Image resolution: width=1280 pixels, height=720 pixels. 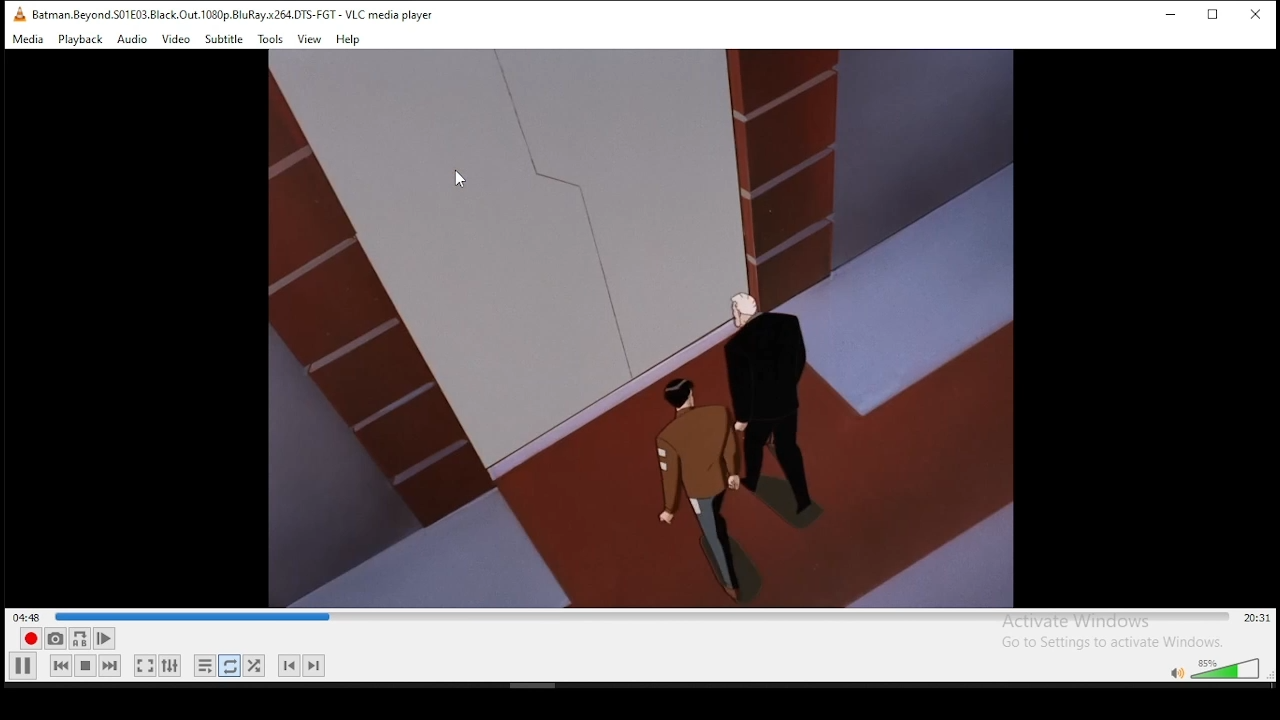 What do you see at coordinates (311, 40) in the screenshot?
I see `View` at bounding box center [311, 40].